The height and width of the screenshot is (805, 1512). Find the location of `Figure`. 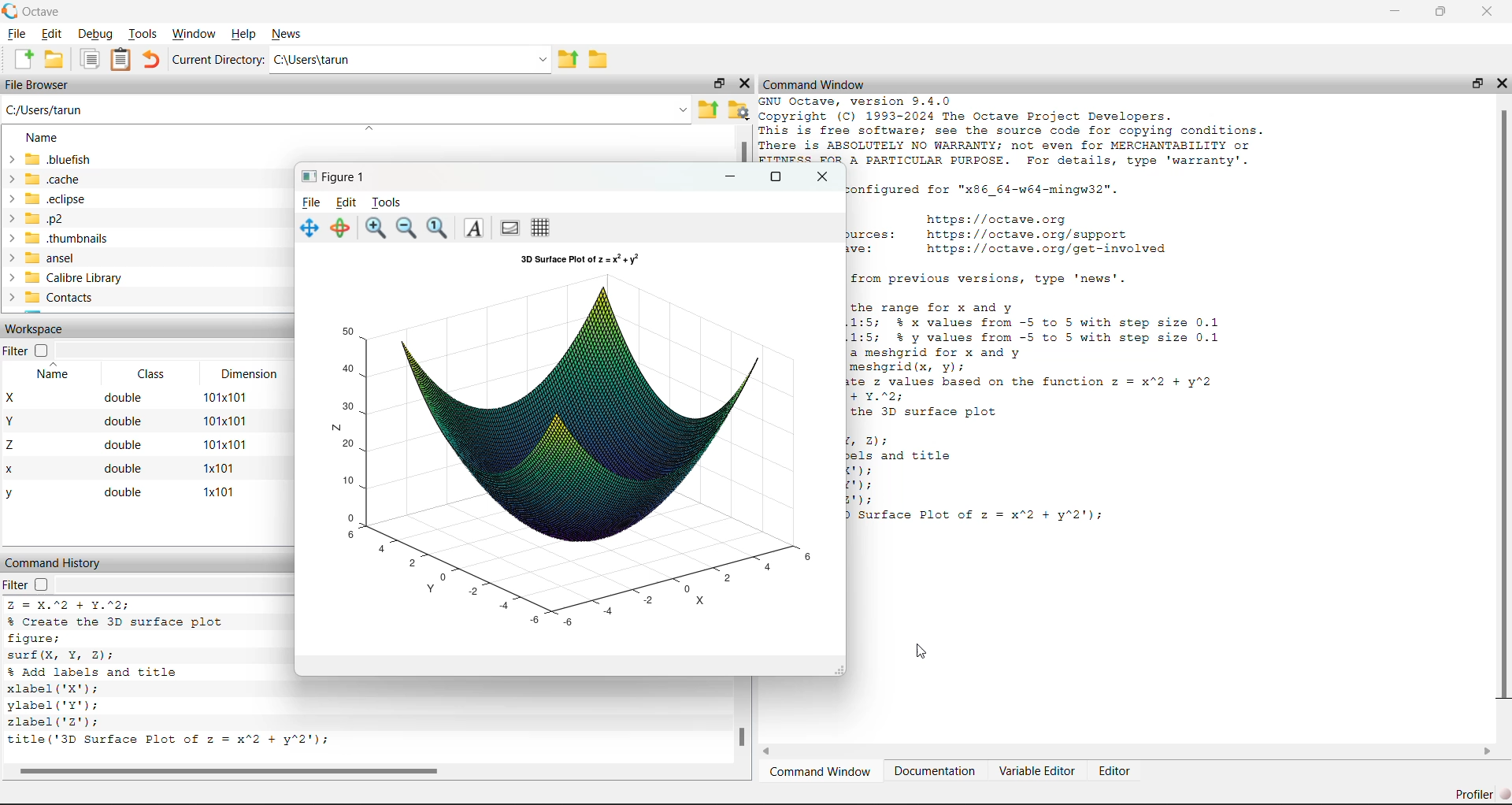

Figure is located at coordinates (578, 459).